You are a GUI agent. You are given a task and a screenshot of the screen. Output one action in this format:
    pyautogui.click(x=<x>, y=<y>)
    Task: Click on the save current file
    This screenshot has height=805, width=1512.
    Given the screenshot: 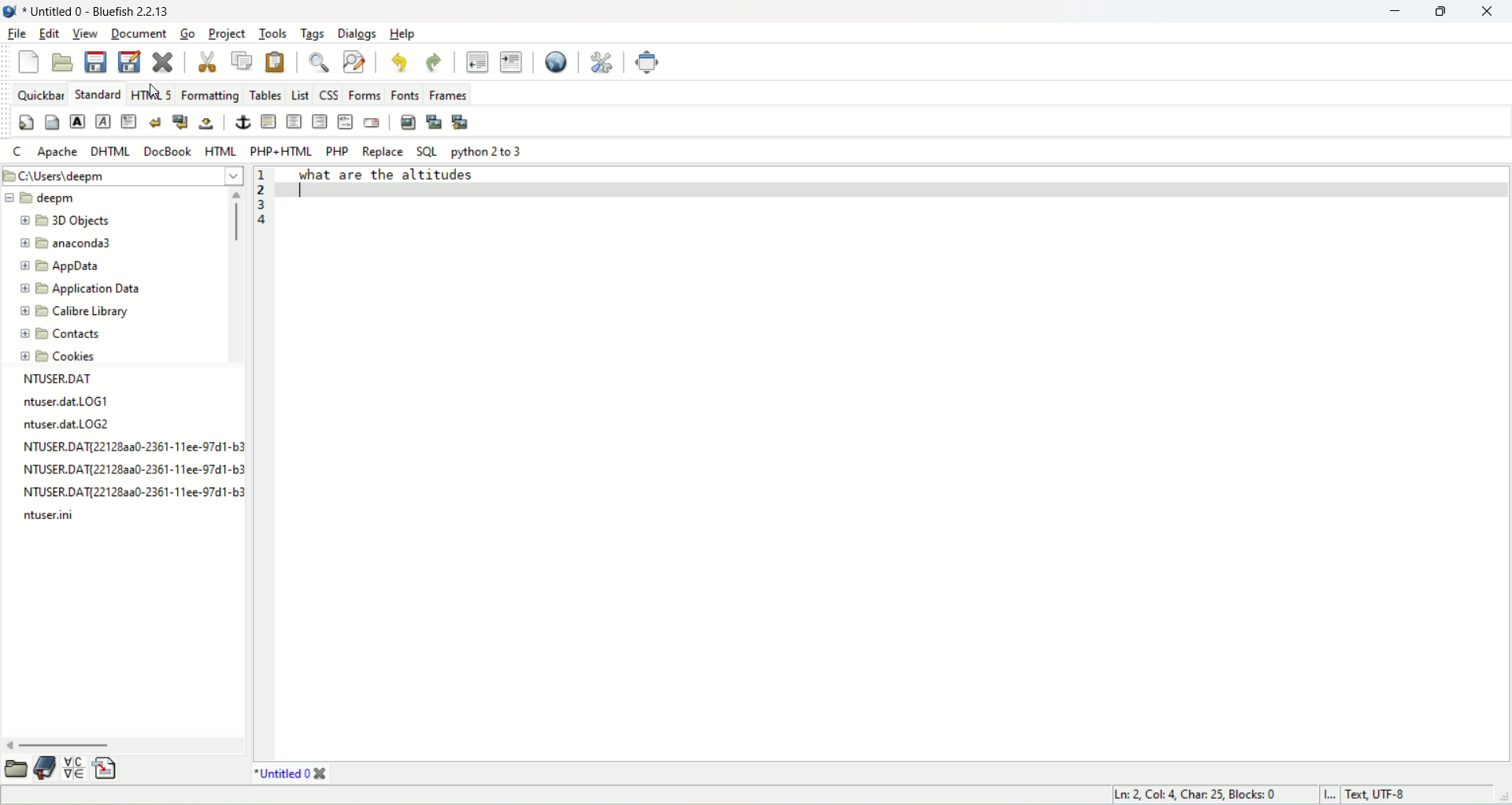 What is the action you would take?
    pyautogui.click(x=97, y=61)
    